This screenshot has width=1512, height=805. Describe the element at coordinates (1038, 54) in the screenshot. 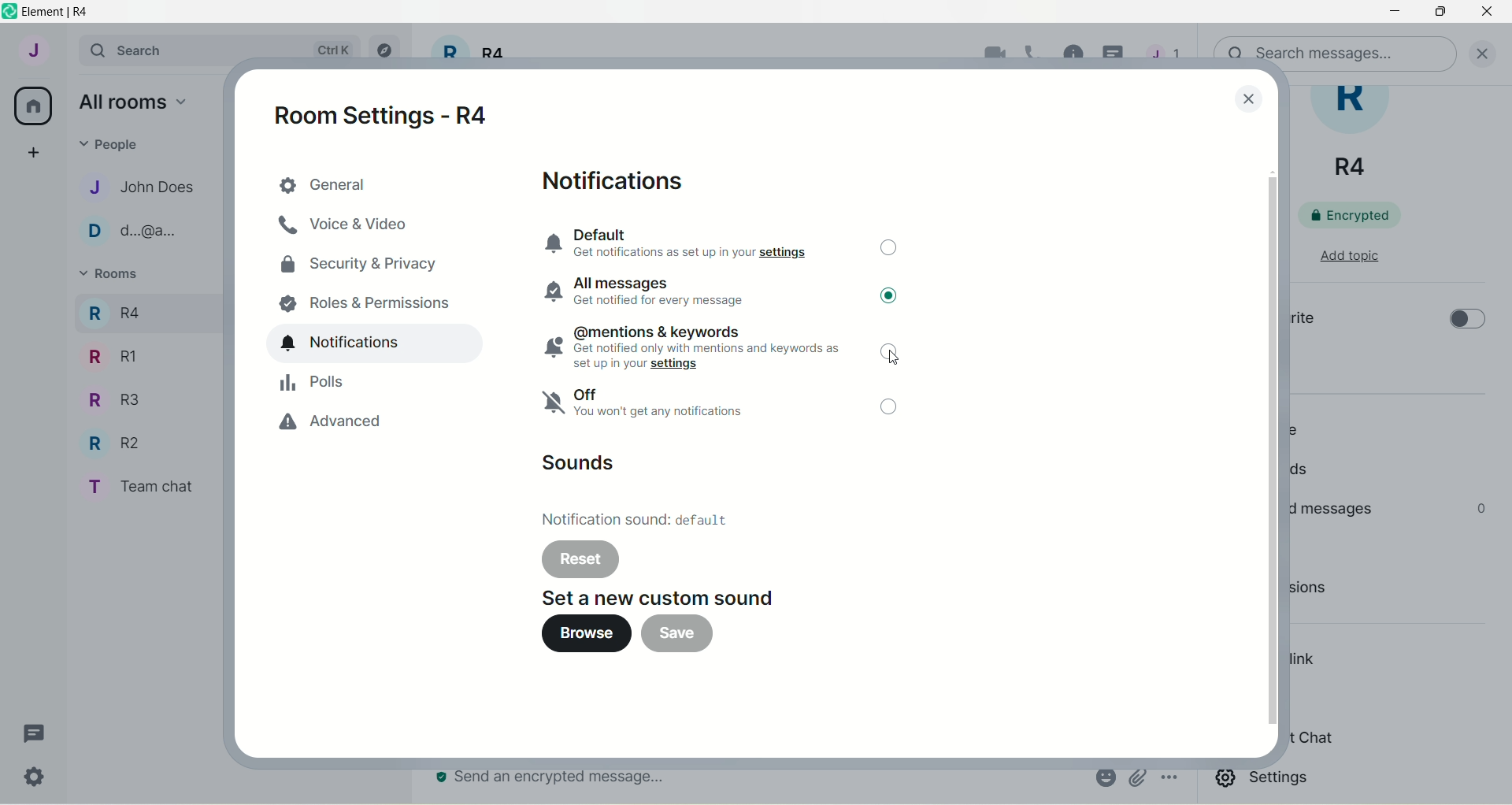

I see `voice call` at that location.